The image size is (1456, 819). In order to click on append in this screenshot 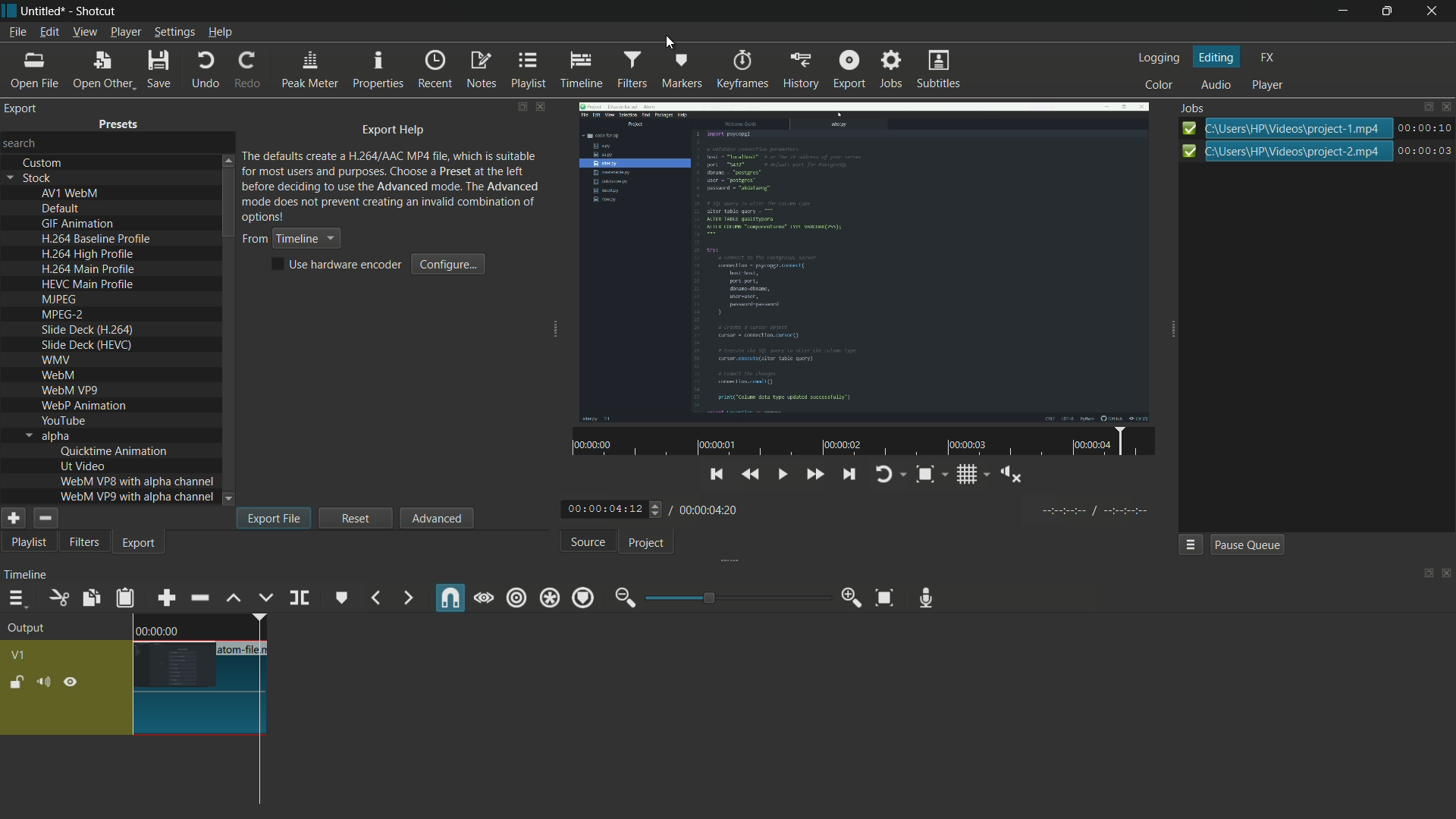, I will do `click(166, 599)`.